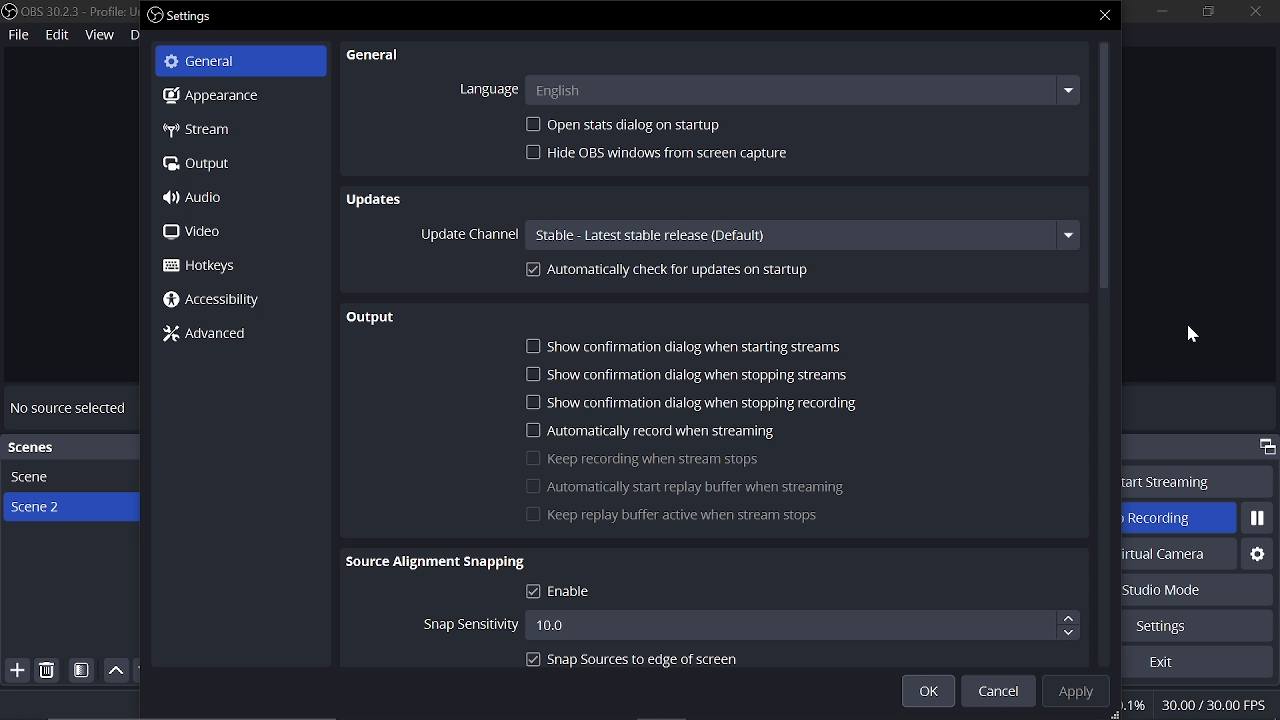 This screenshot has width=1280, height=720. What do you see at coordinates (483, 91) in the screenshot?
I see `language` at bounding box center [483, 91].